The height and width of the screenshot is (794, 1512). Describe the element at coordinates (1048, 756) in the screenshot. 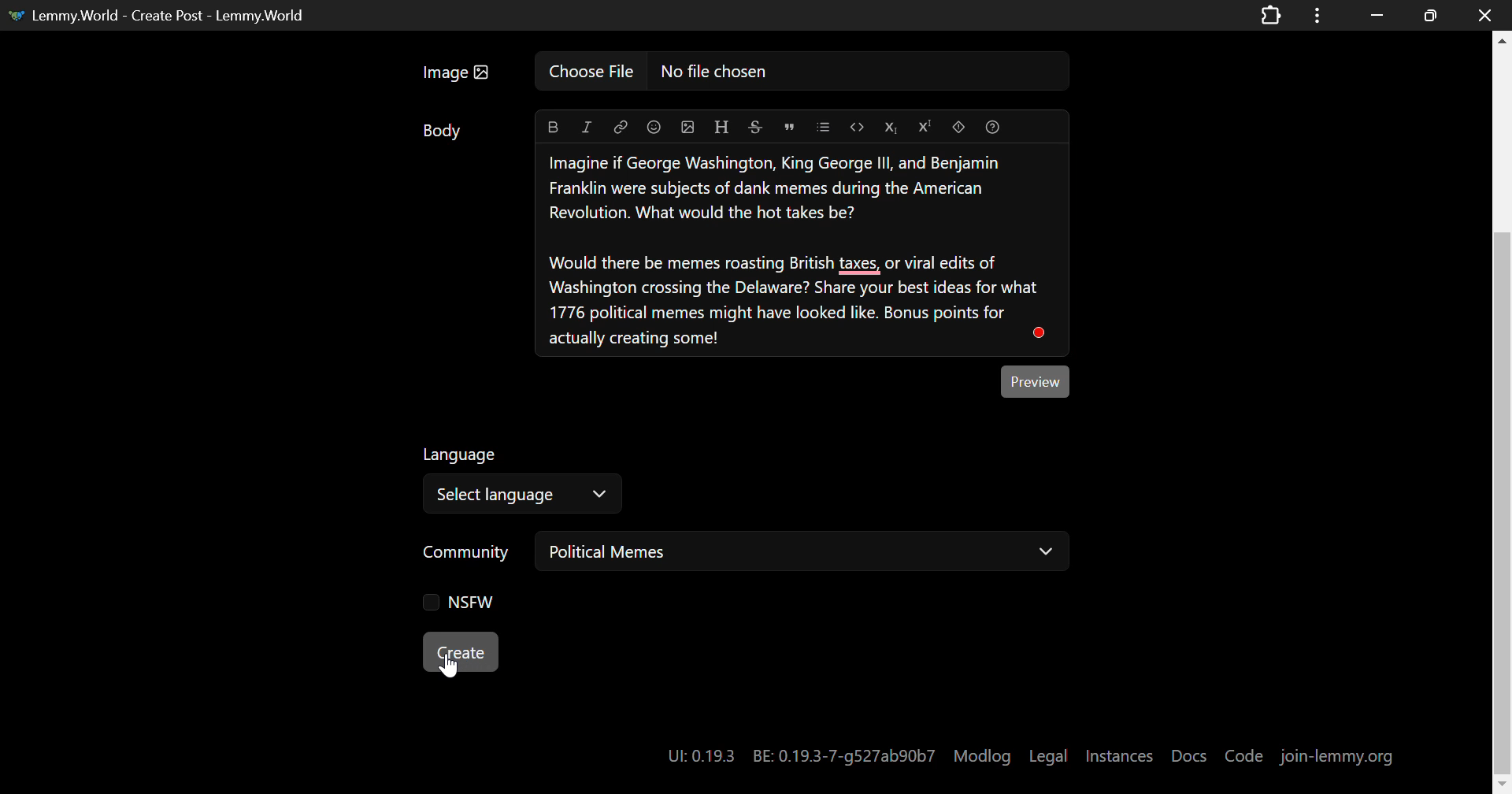

I see `Legal` at that location.